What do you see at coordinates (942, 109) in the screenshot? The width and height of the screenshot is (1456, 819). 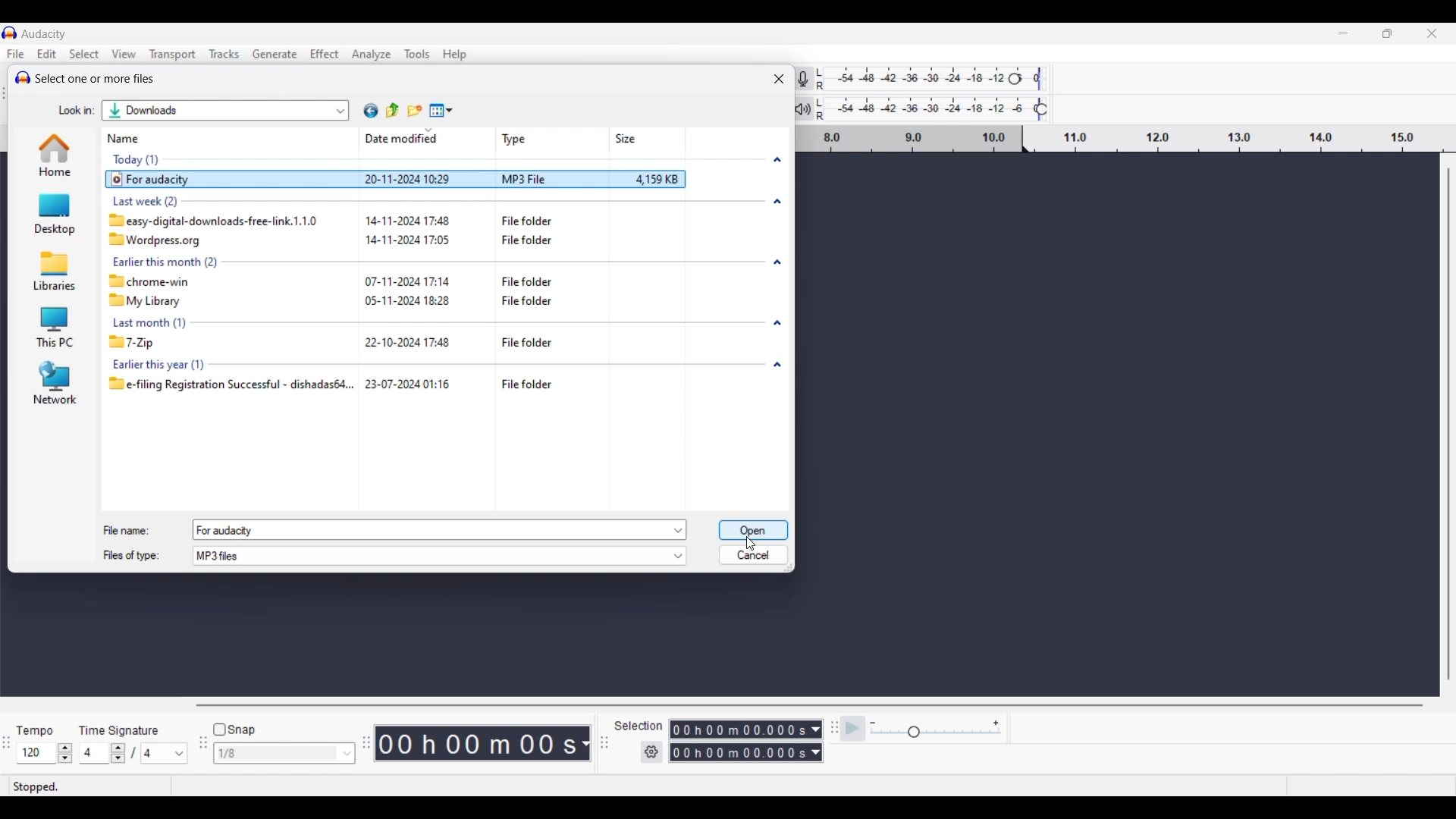 I see `Playback level` at bounding box center [942, 109].